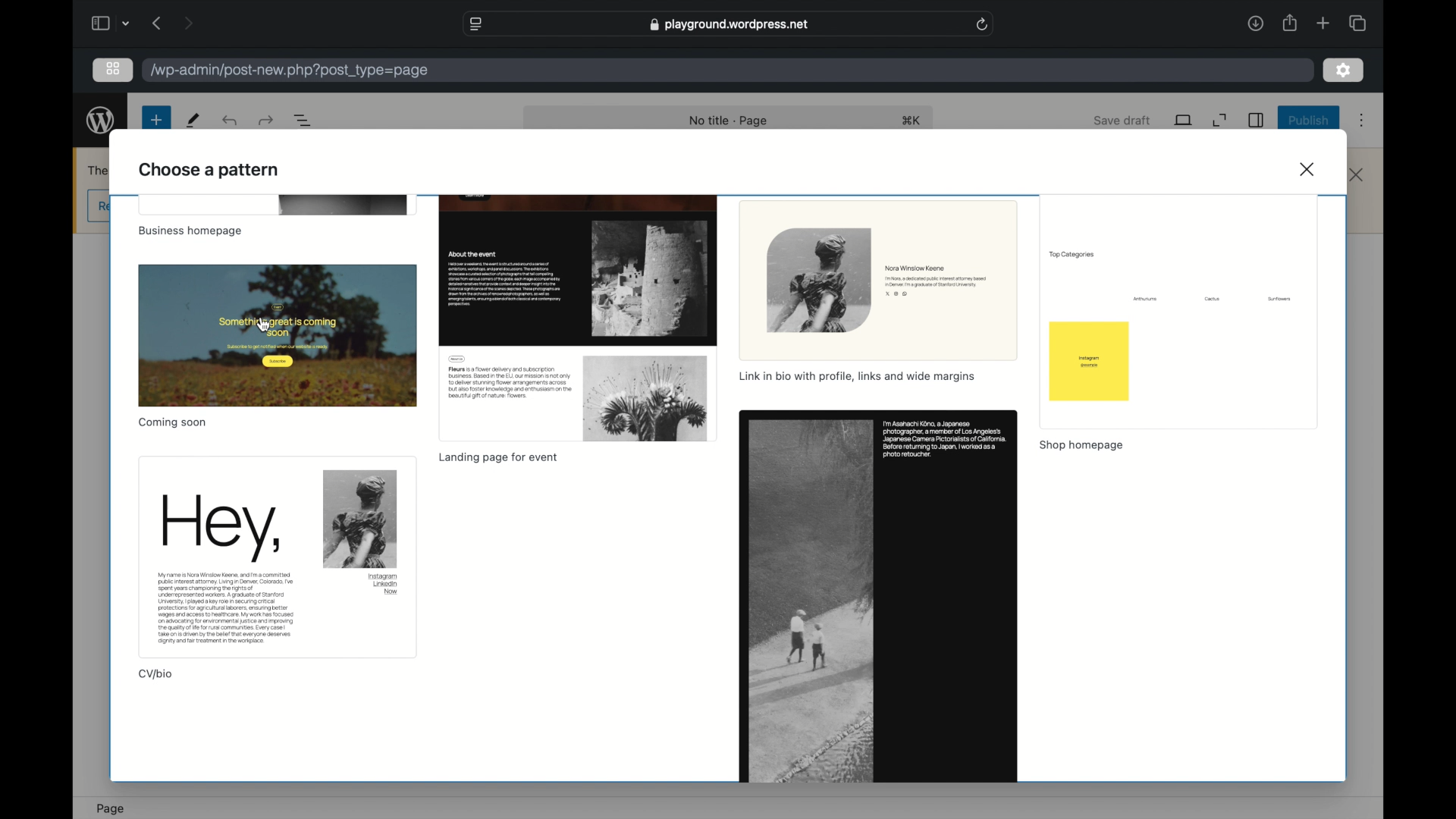 The image size is (1456, 819). What do you see at coordinates (111, 808) in the screenshot?
I see `page` at bounding box center [111, 808].